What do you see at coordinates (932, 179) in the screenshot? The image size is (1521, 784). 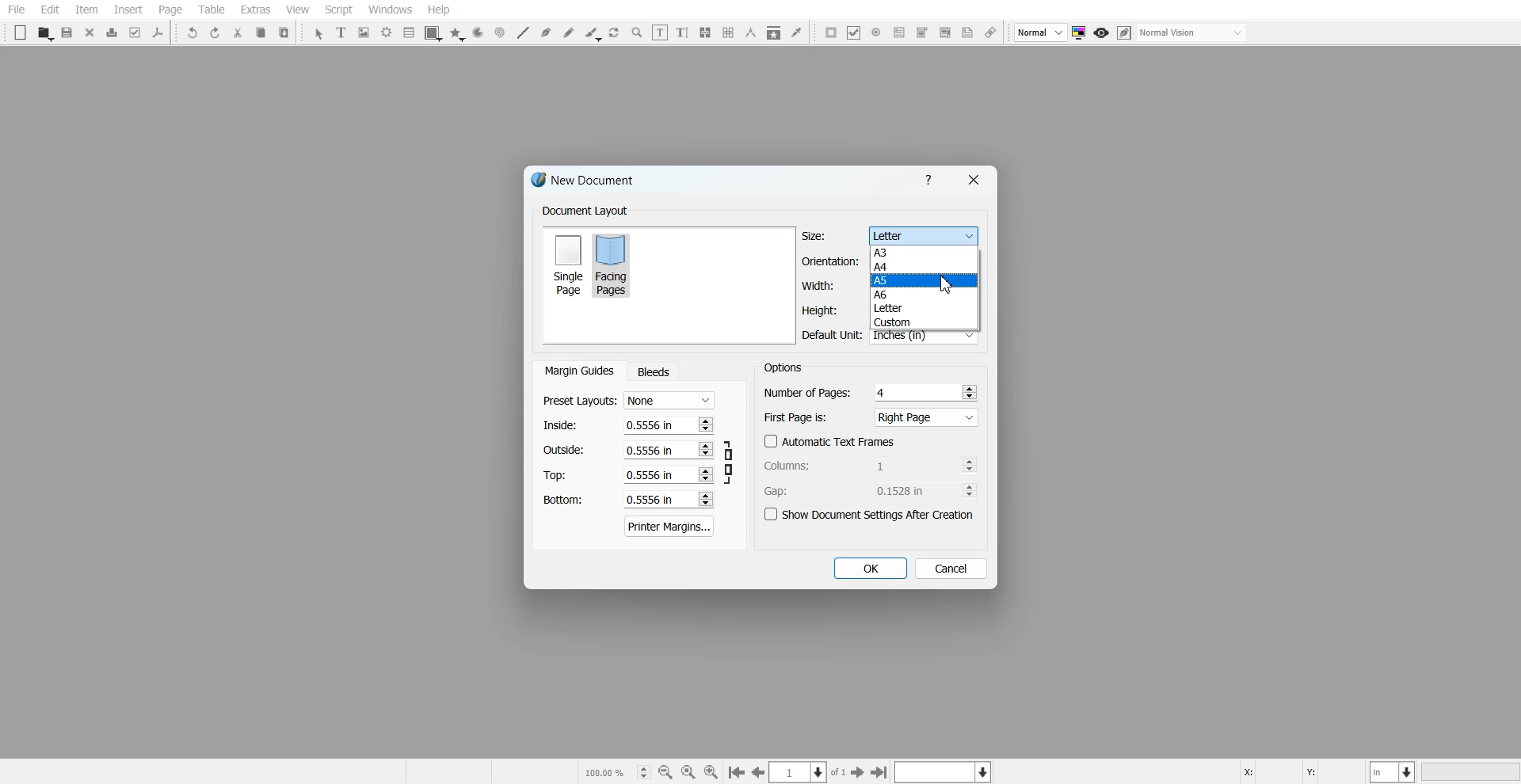 I see `Help` at bounding box center [932, 179].